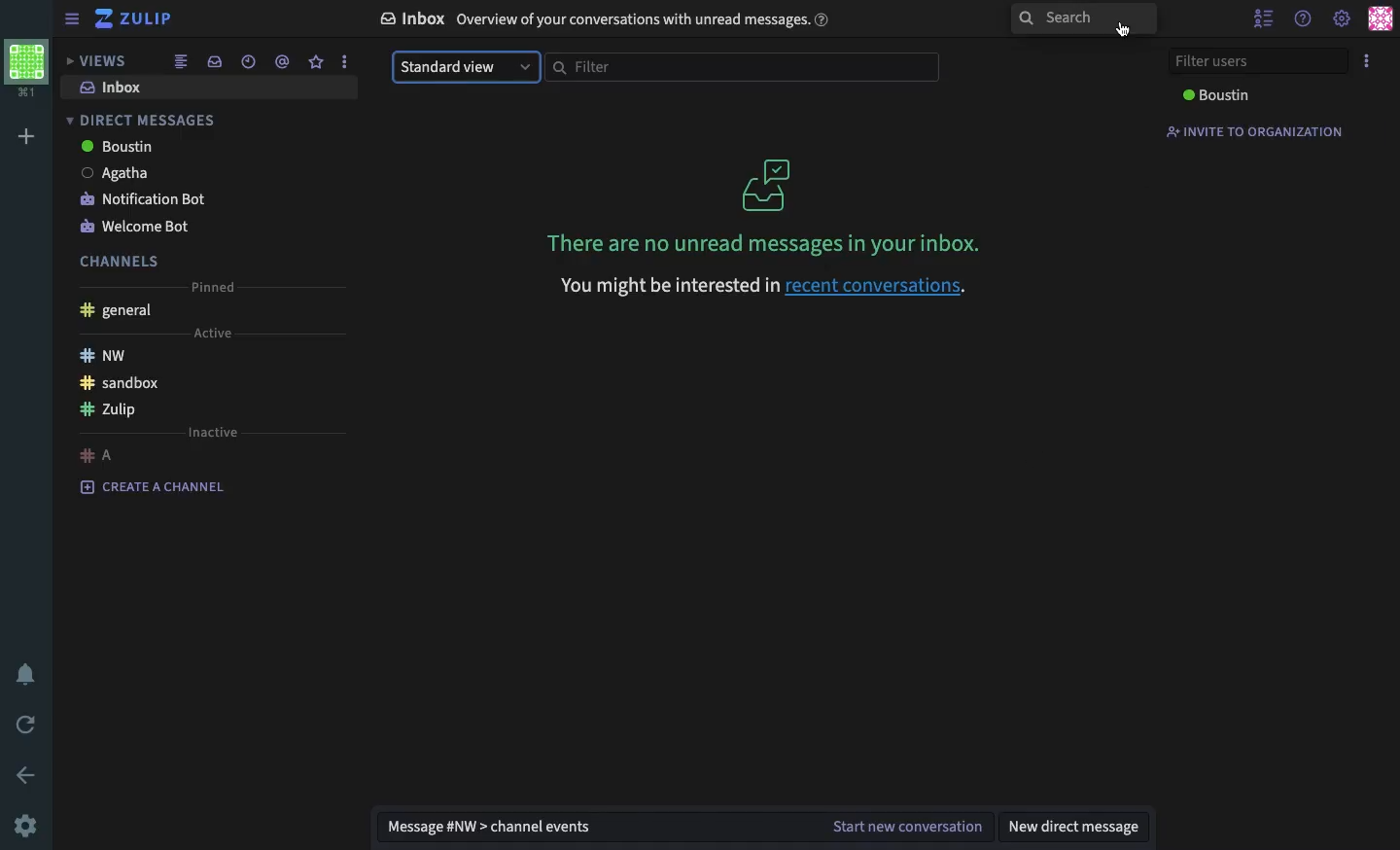 This screenshot has width=1400, height=850. Describe the element at coordinates (248, 59) in the screenshot. I see `date time` at that location.